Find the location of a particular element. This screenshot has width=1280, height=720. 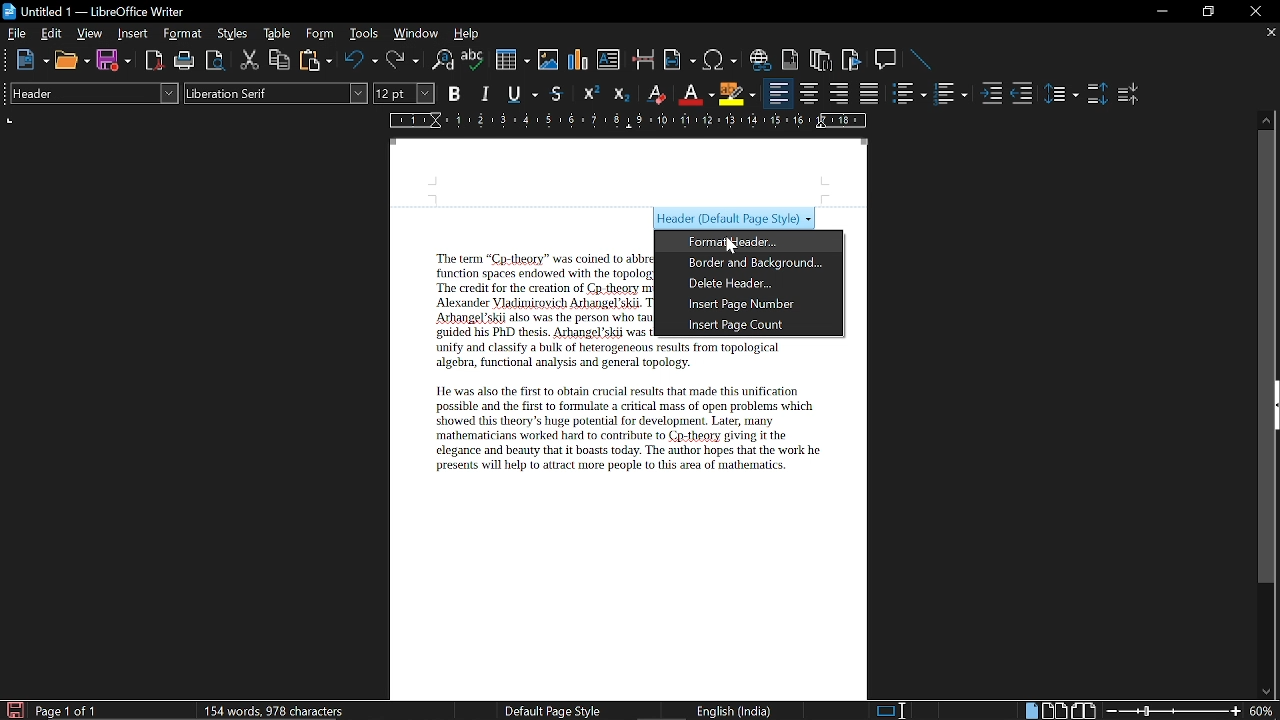

page style Page style is located at coordinates (556, 711).